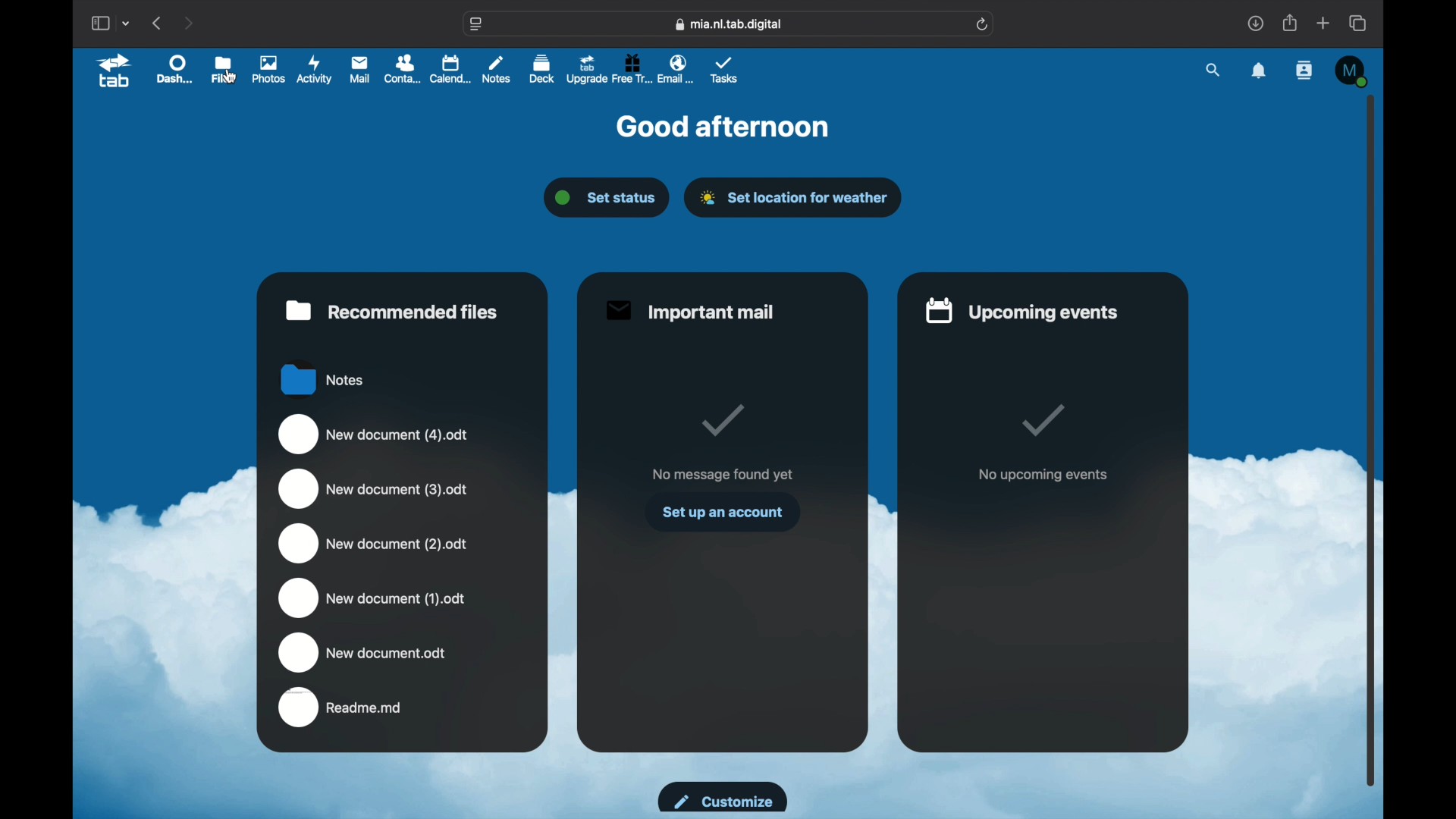 The height and width of the screenshot is (819, 1456). I want to click on contacts, so click(405, 68).